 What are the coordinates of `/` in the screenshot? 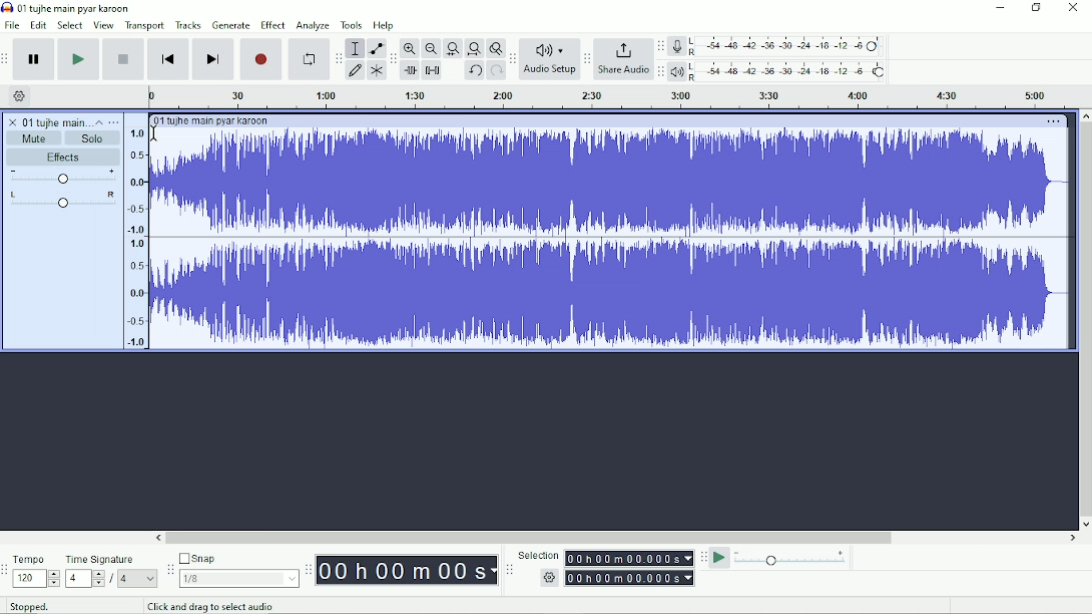 It's located at (113, 581).